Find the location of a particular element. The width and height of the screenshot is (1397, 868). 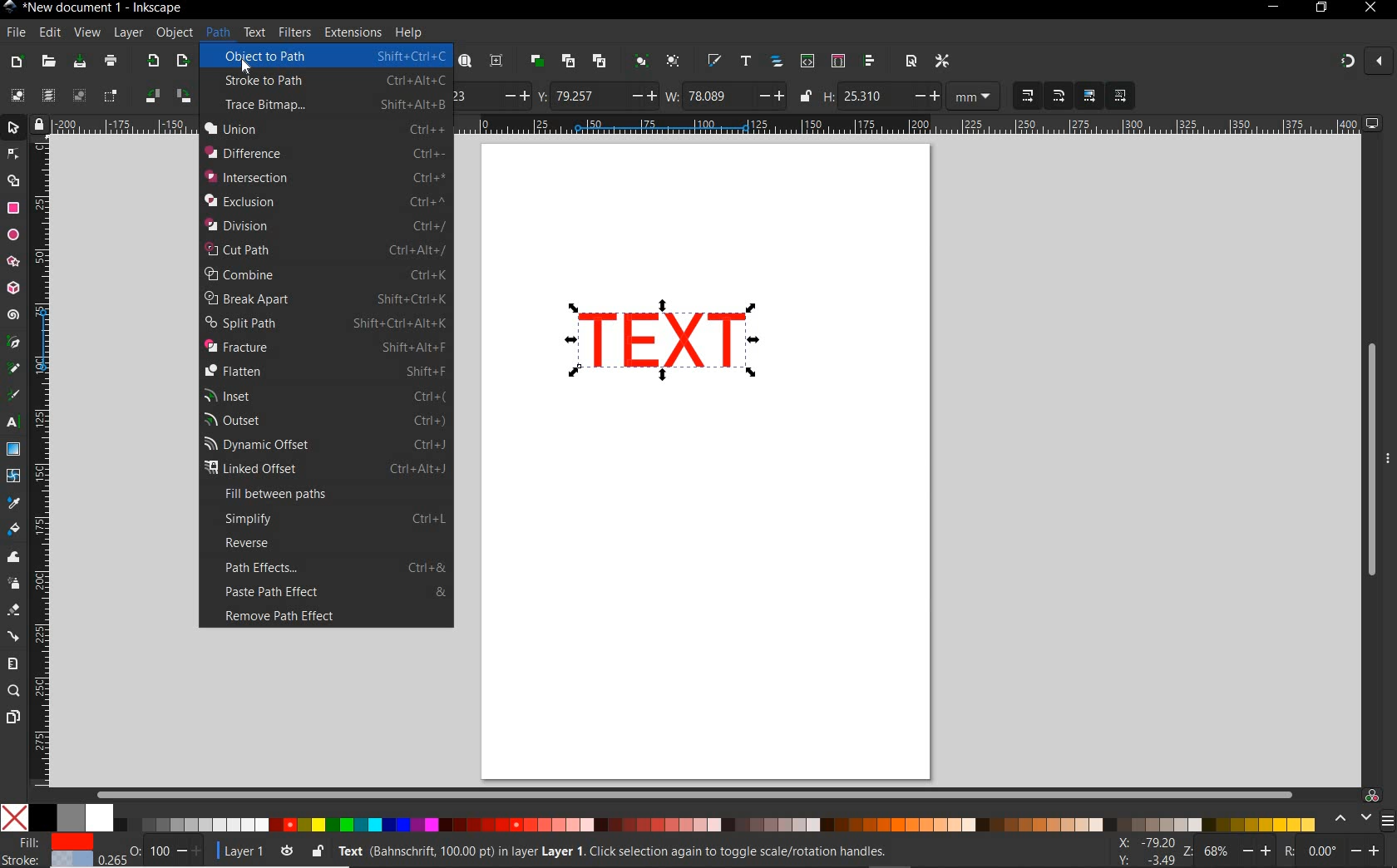

OBJECT TO PATH is located at coordinates (328, 56).